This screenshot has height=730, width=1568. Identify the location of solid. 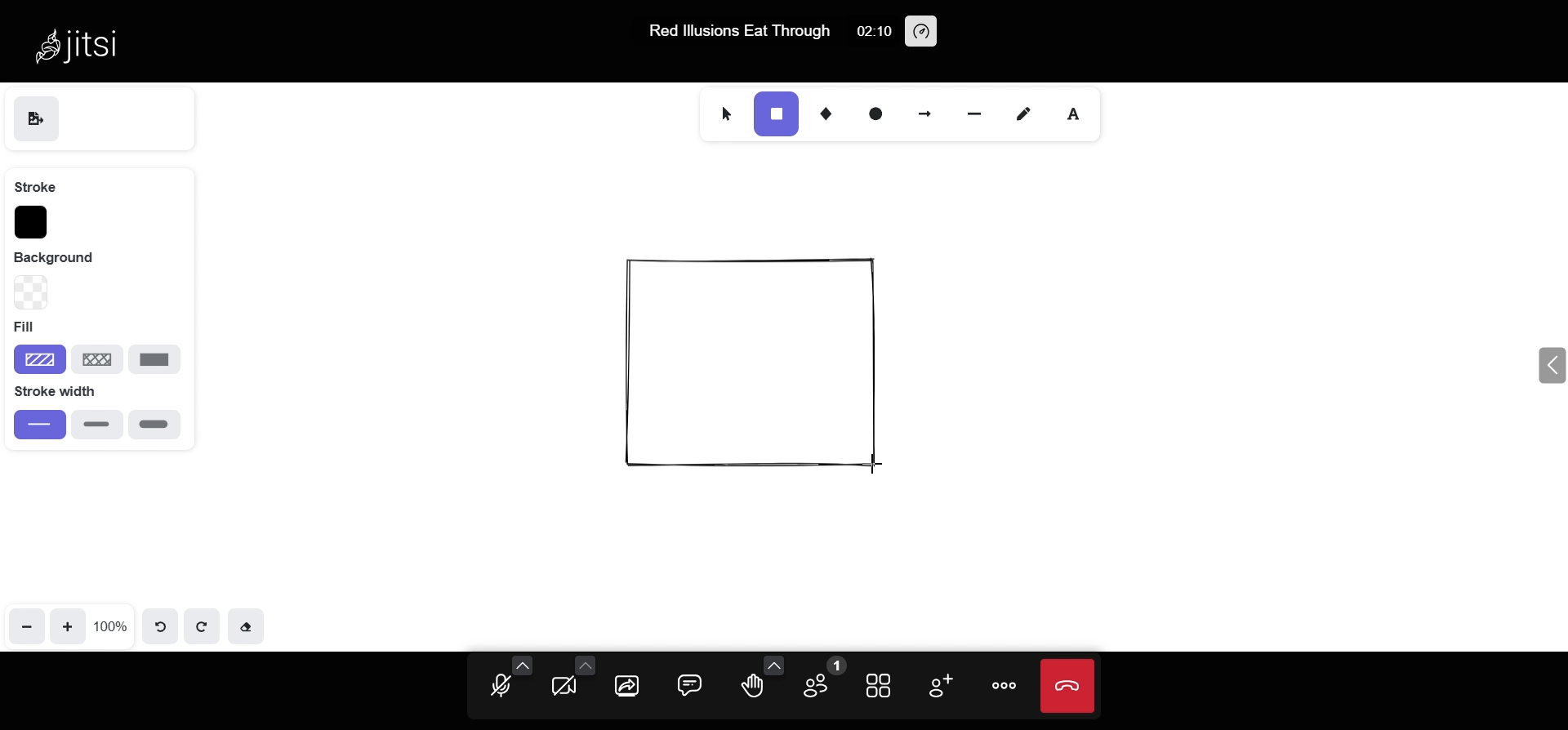
(155, 360).